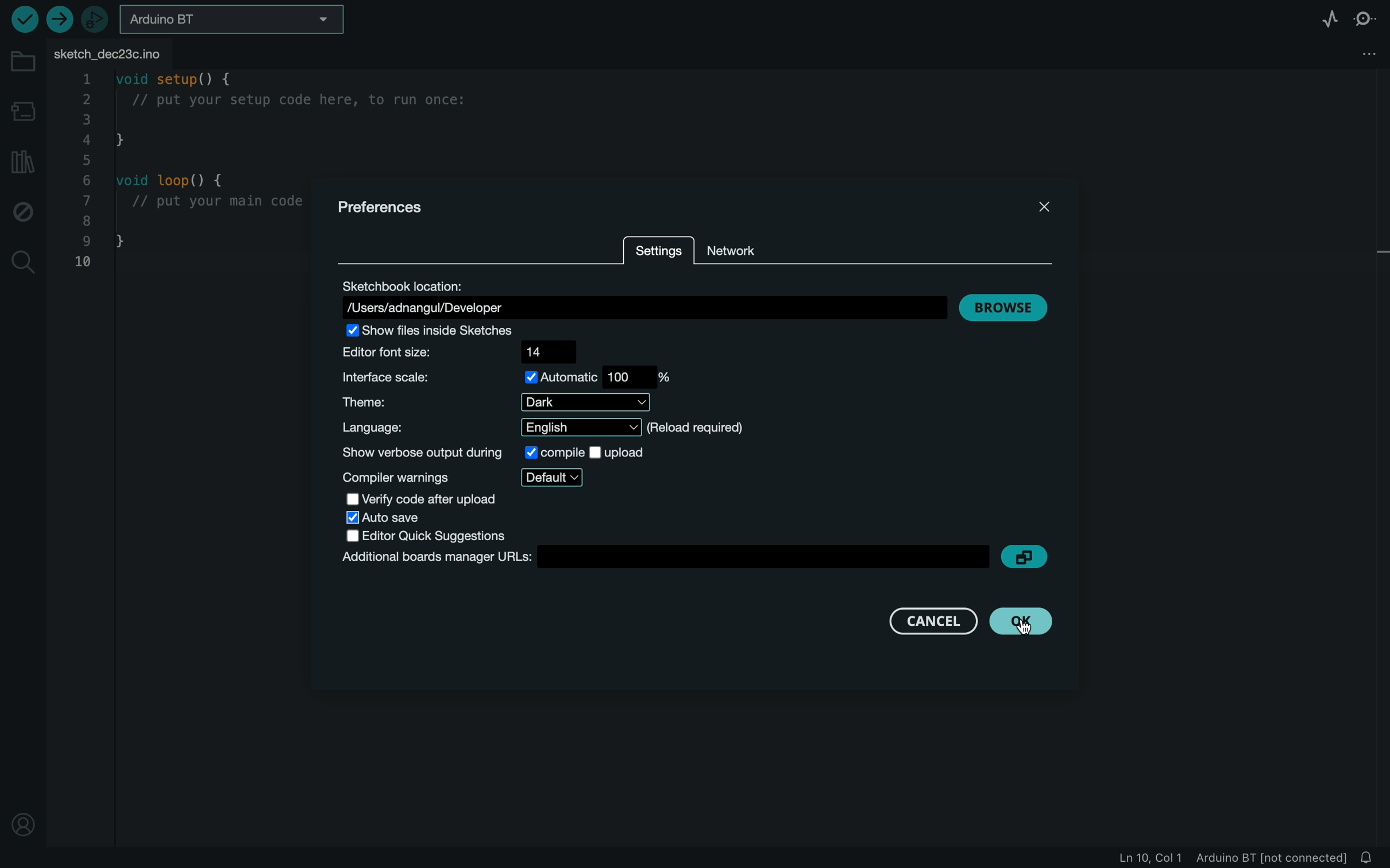  Describe the element at coordinates (24, 160) in the screenshot. I see `library manger` at that location.